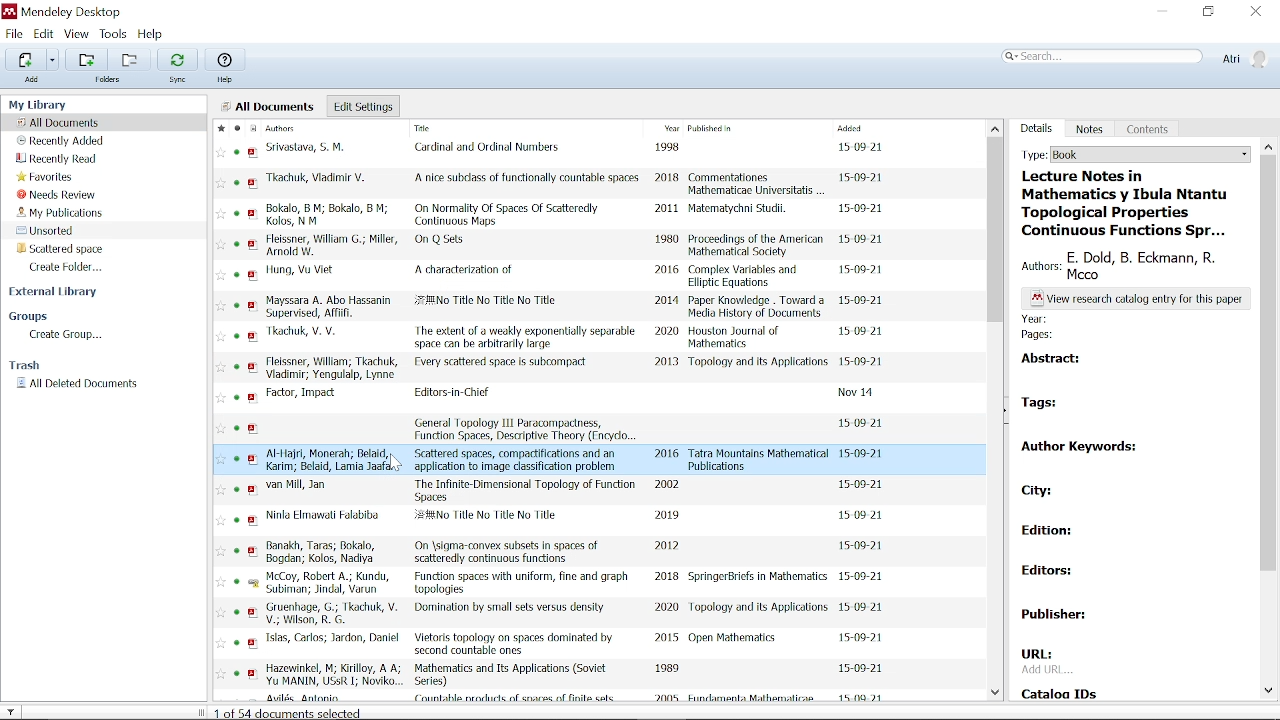 The height and width of the screenshot is (720, 1280). What do you see at coordinates (736, 639) in the screenshot?
I see `Open Mathematics` at bounding box center [736, 639].